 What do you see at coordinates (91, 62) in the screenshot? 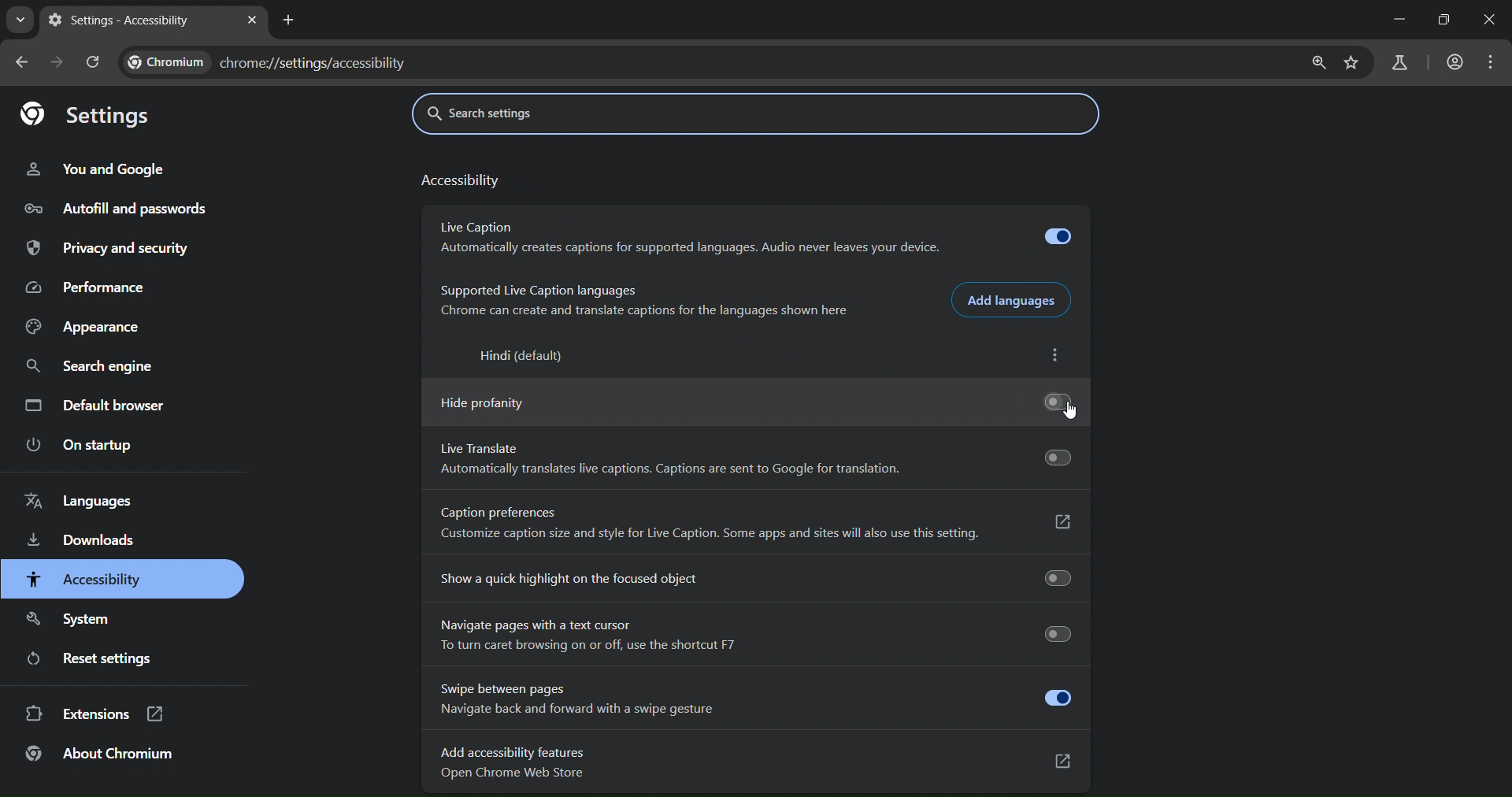
I see `reload page` at bounding box center [91, 62].